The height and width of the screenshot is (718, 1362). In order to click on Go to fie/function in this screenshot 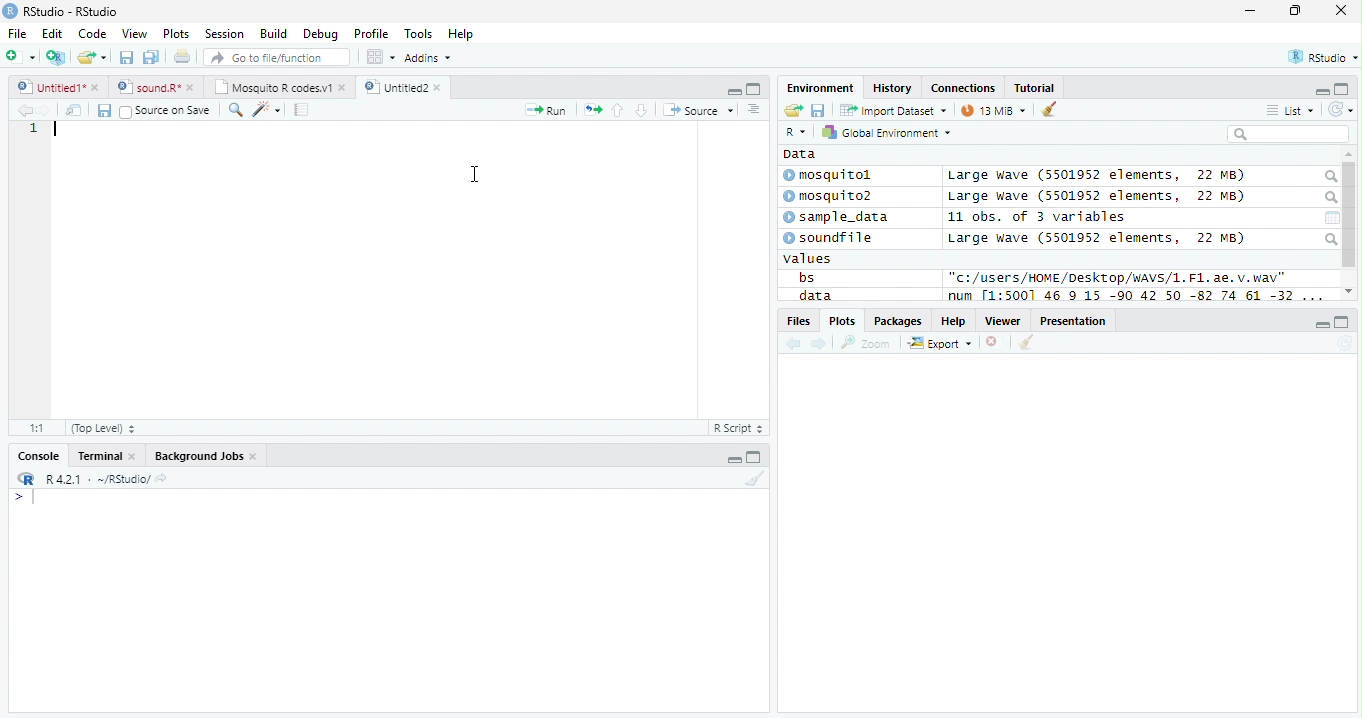, I will do `click(277, 57)`.